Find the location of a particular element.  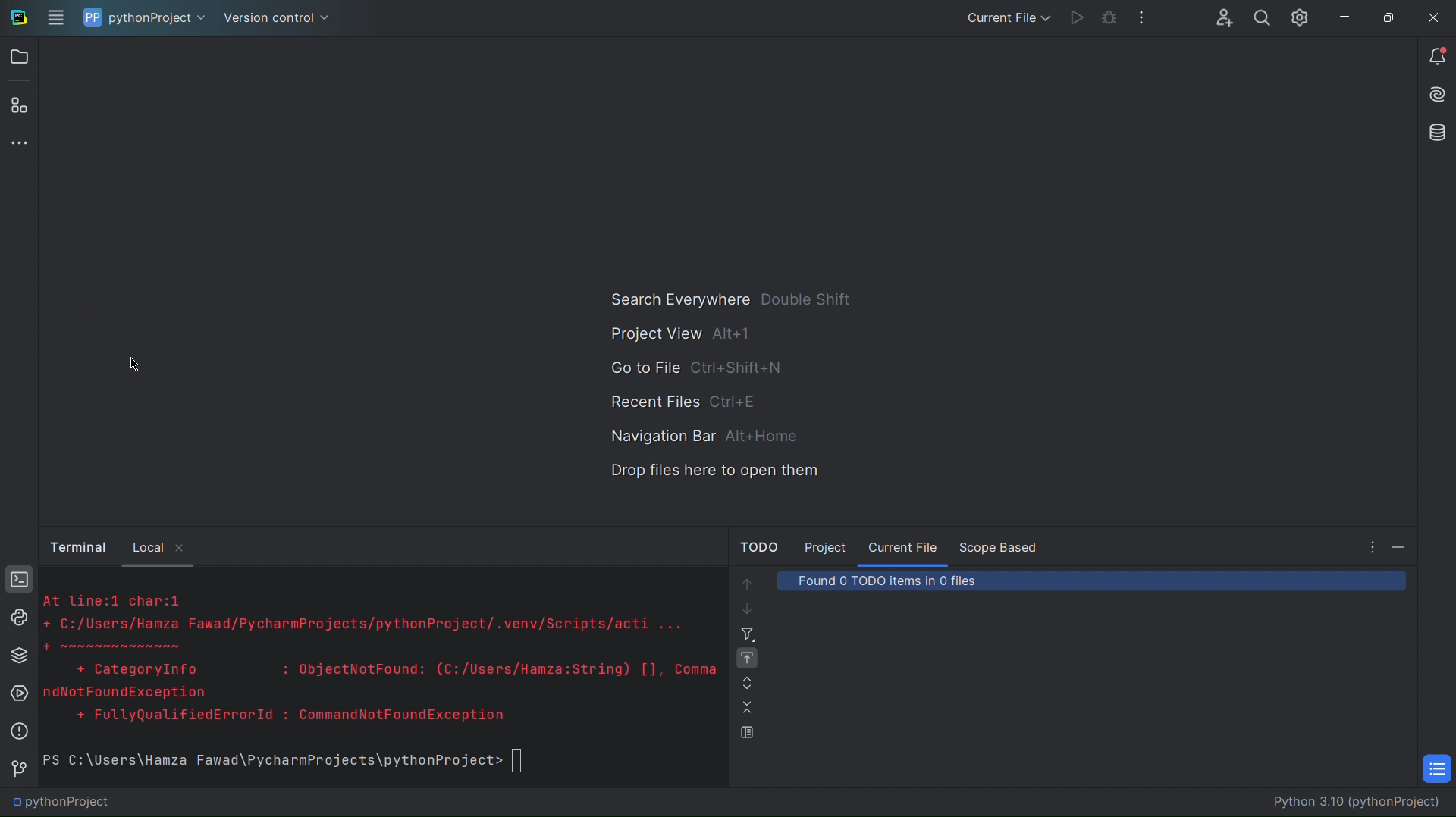

Recent Files is located at coordinates (685, 403).